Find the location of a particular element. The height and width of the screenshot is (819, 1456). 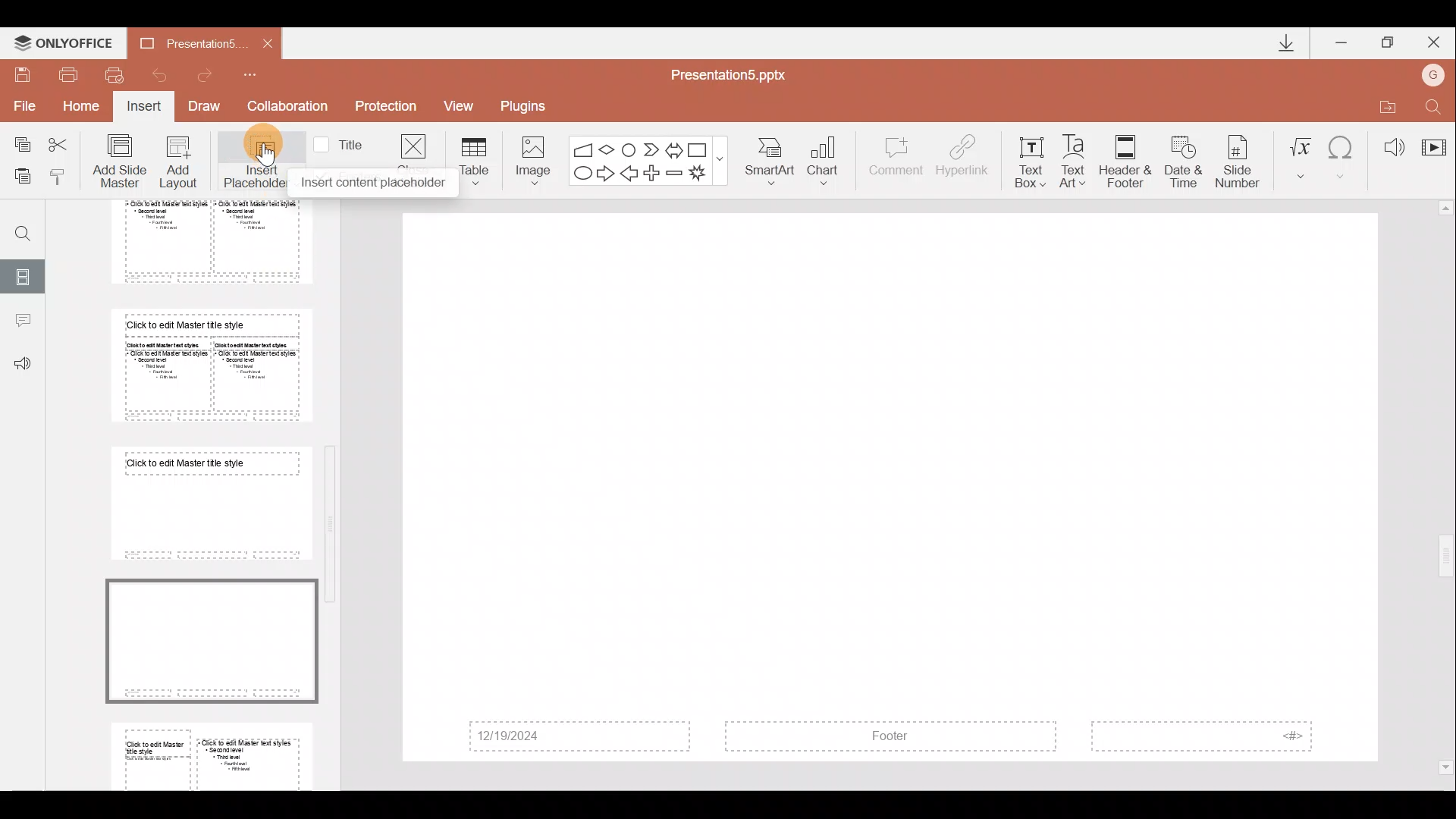

Comments is located at coordinates (22, 322).